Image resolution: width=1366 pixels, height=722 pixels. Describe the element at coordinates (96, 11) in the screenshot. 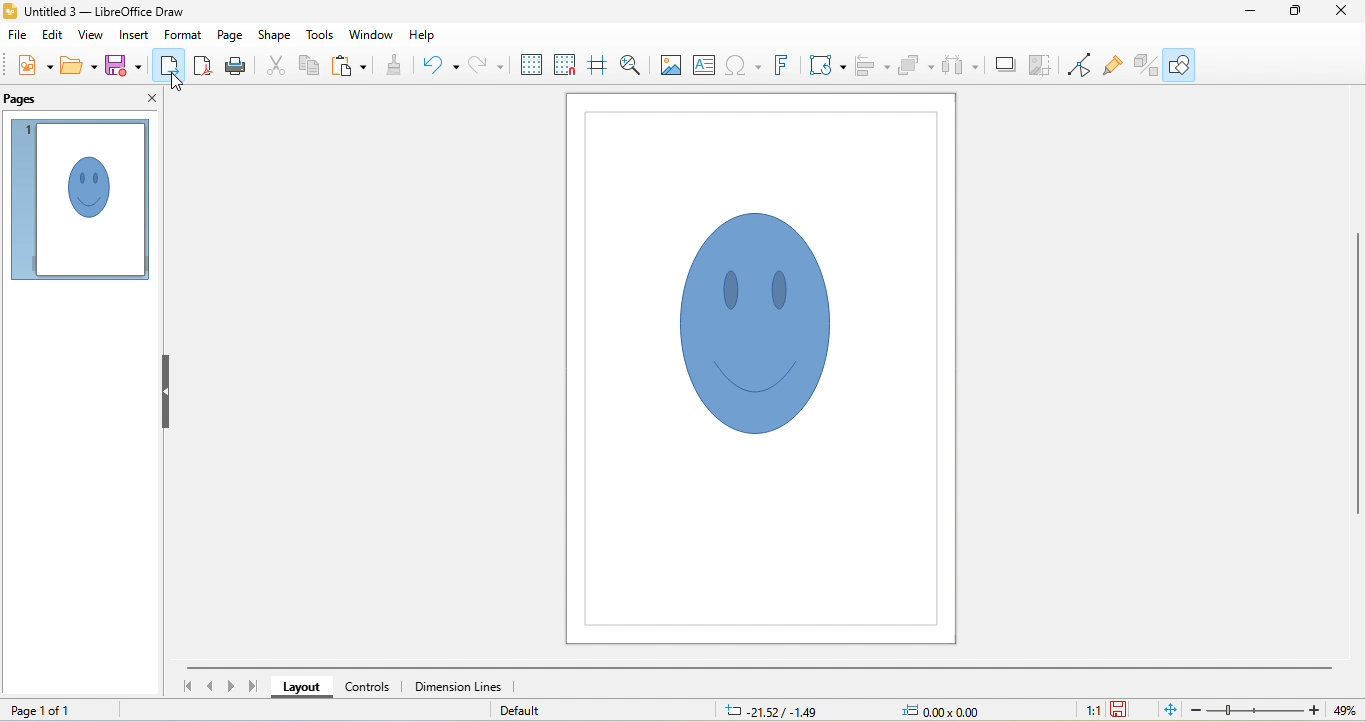

I see `title` at that location.